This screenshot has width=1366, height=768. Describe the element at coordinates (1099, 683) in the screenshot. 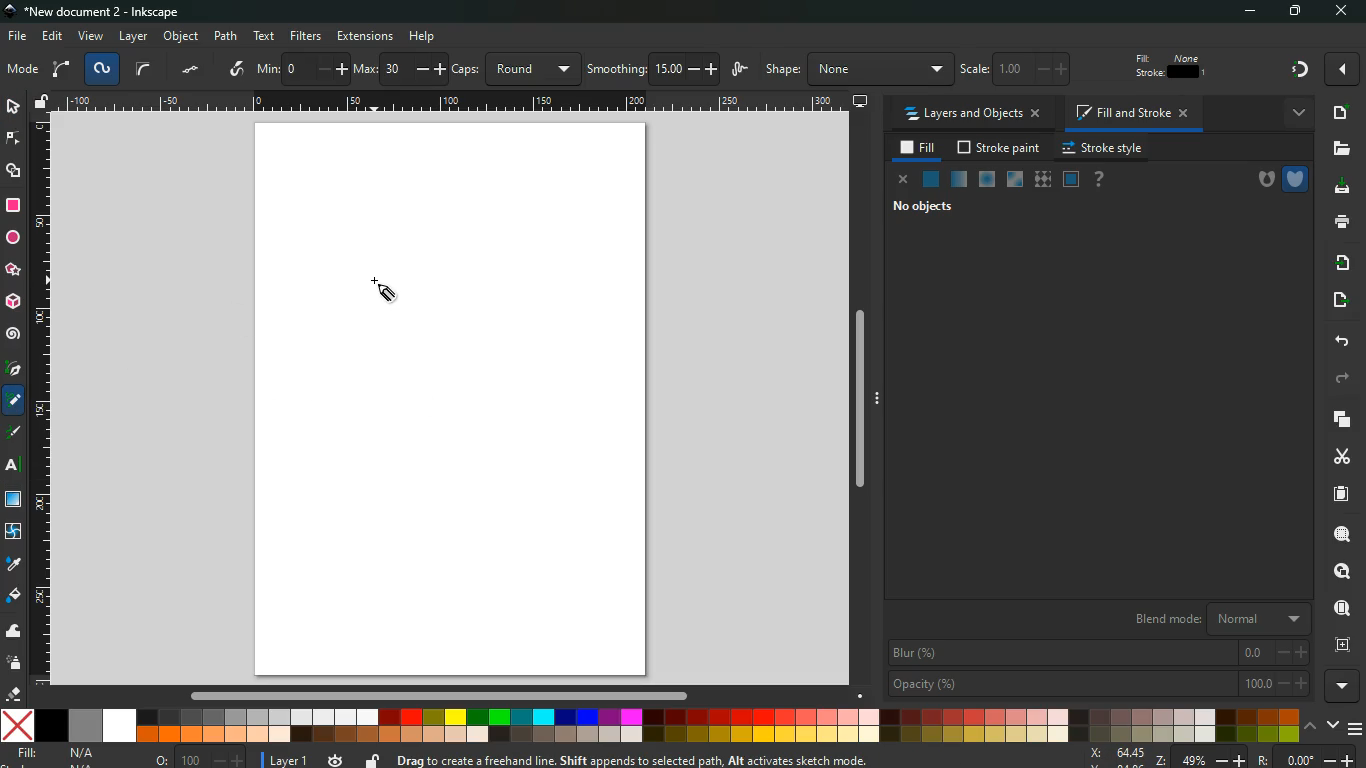

I see `opacity` at that location.